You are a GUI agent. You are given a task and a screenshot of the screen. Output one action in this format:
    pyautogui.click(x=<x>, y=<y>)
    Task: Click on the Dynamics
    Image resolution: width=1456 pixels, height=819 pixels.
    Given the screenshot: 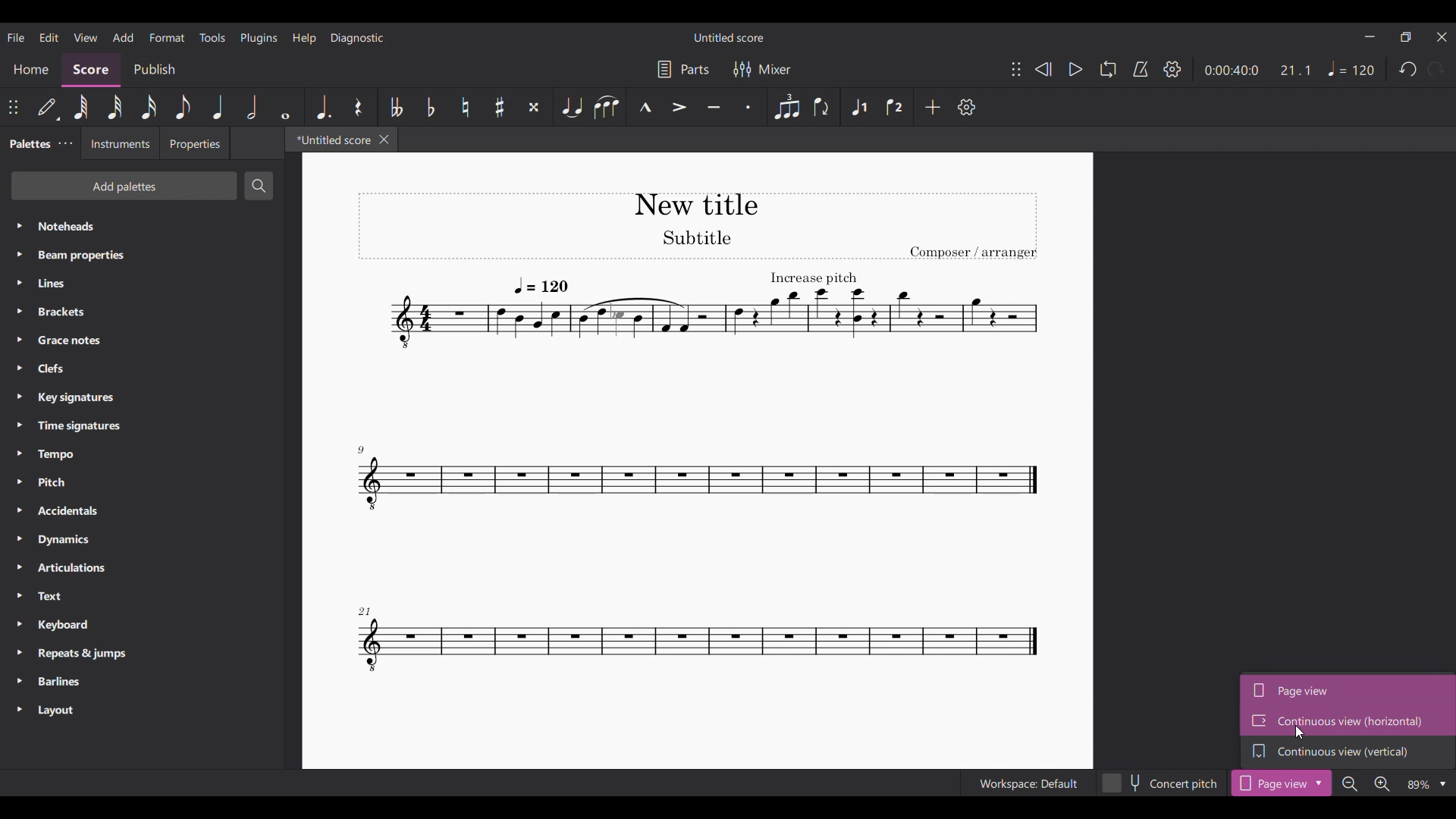 What is the action you would take?
    pyautogui.click(x=141, y=540)
    